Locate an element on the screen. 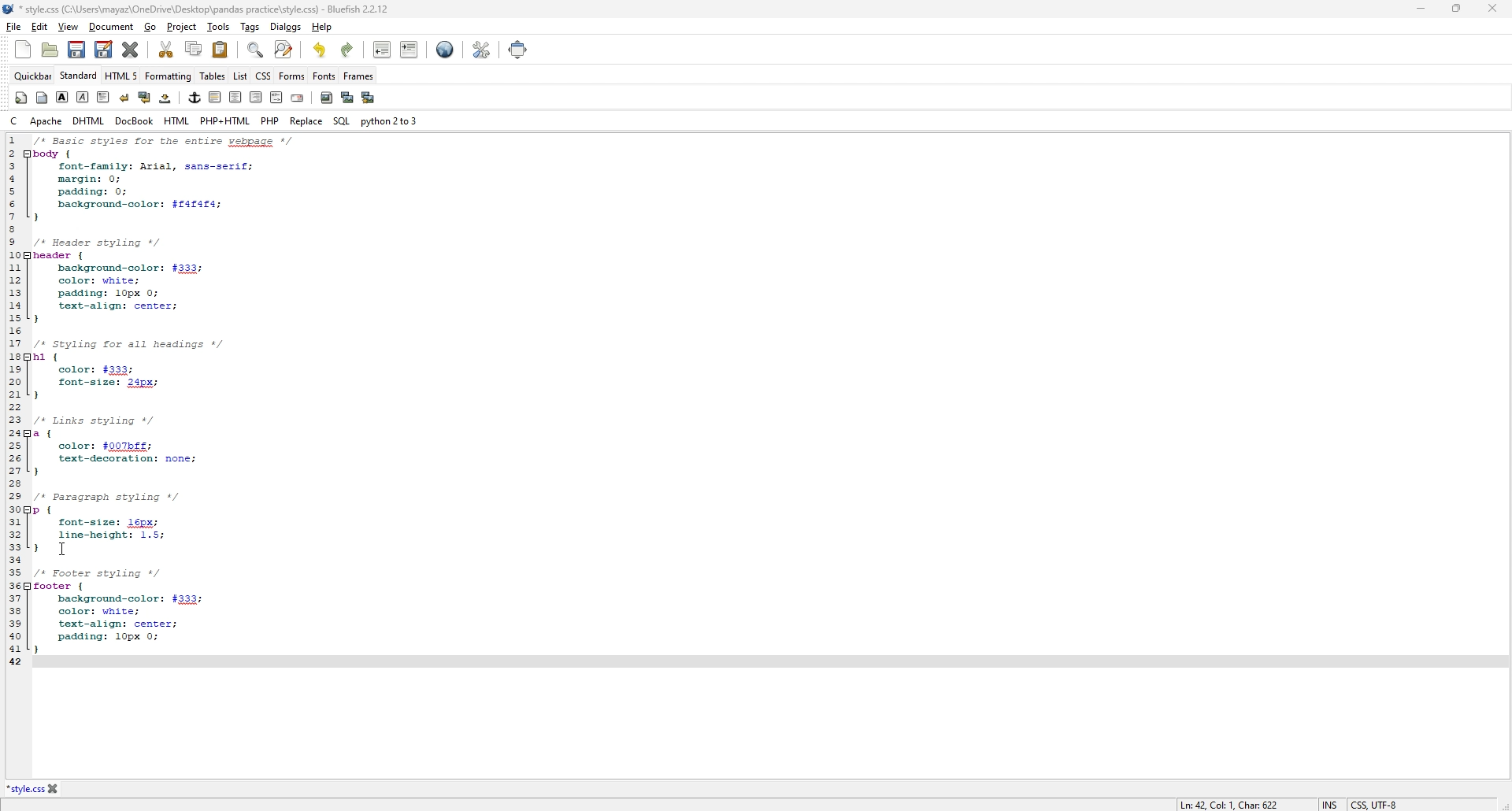 The width and height of the screenshot is (1512, 811). list is located at coordinates (240, 76).